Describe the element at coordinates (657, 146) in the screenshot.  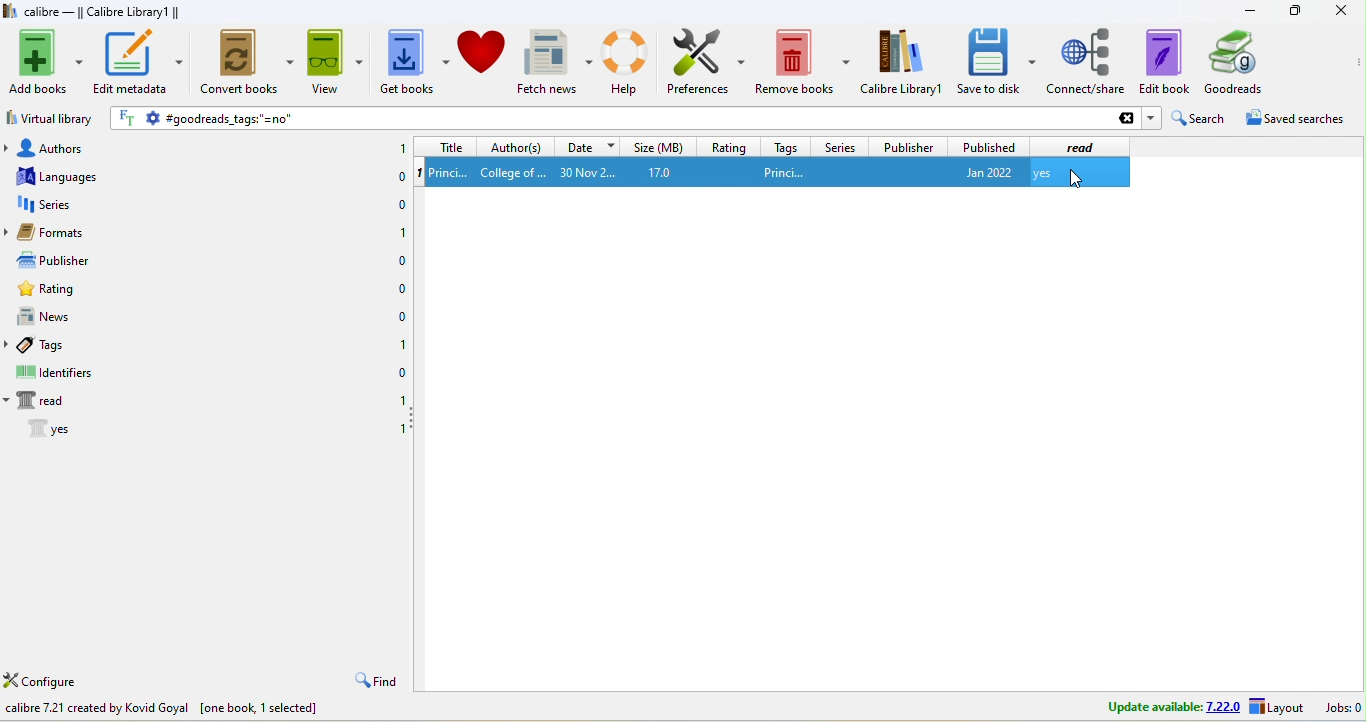
I see `size` at that location.